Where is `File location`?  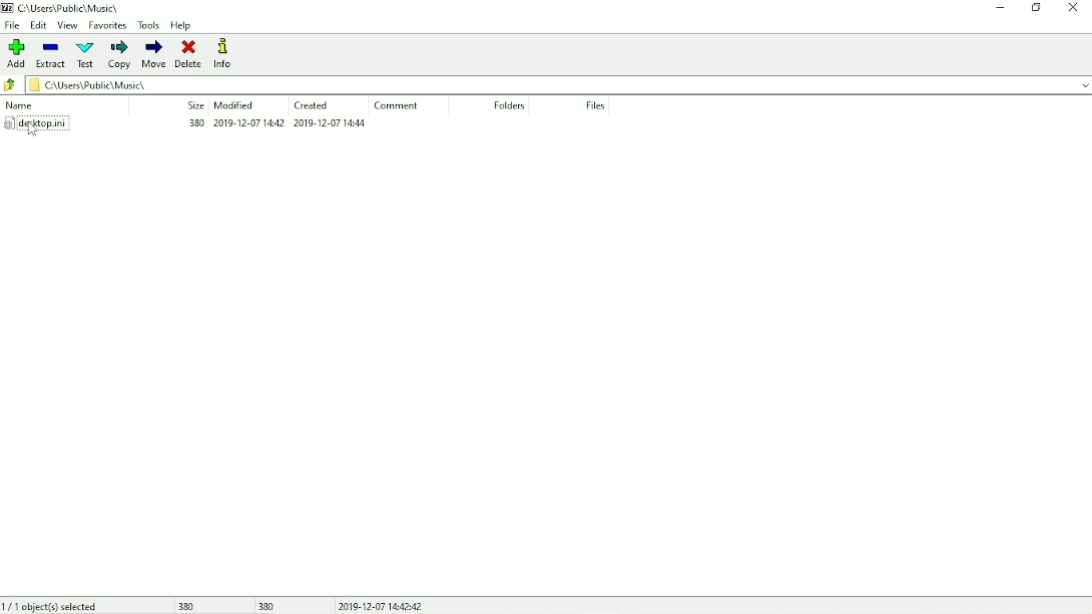 File location is located at coordinates (70, 8).